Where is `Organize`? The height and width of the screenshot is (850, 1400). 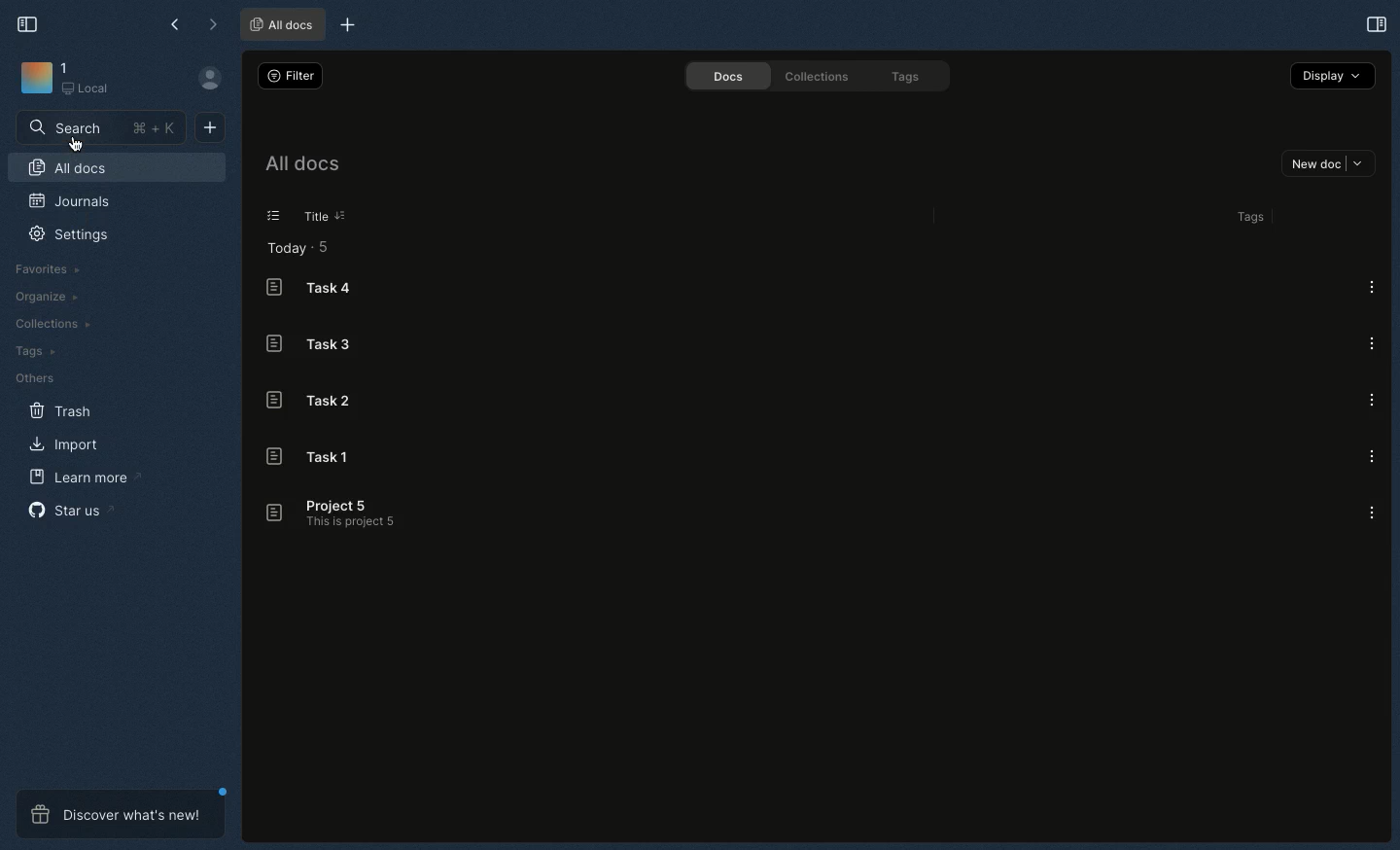
Organize is located at coordinates (43, 297).